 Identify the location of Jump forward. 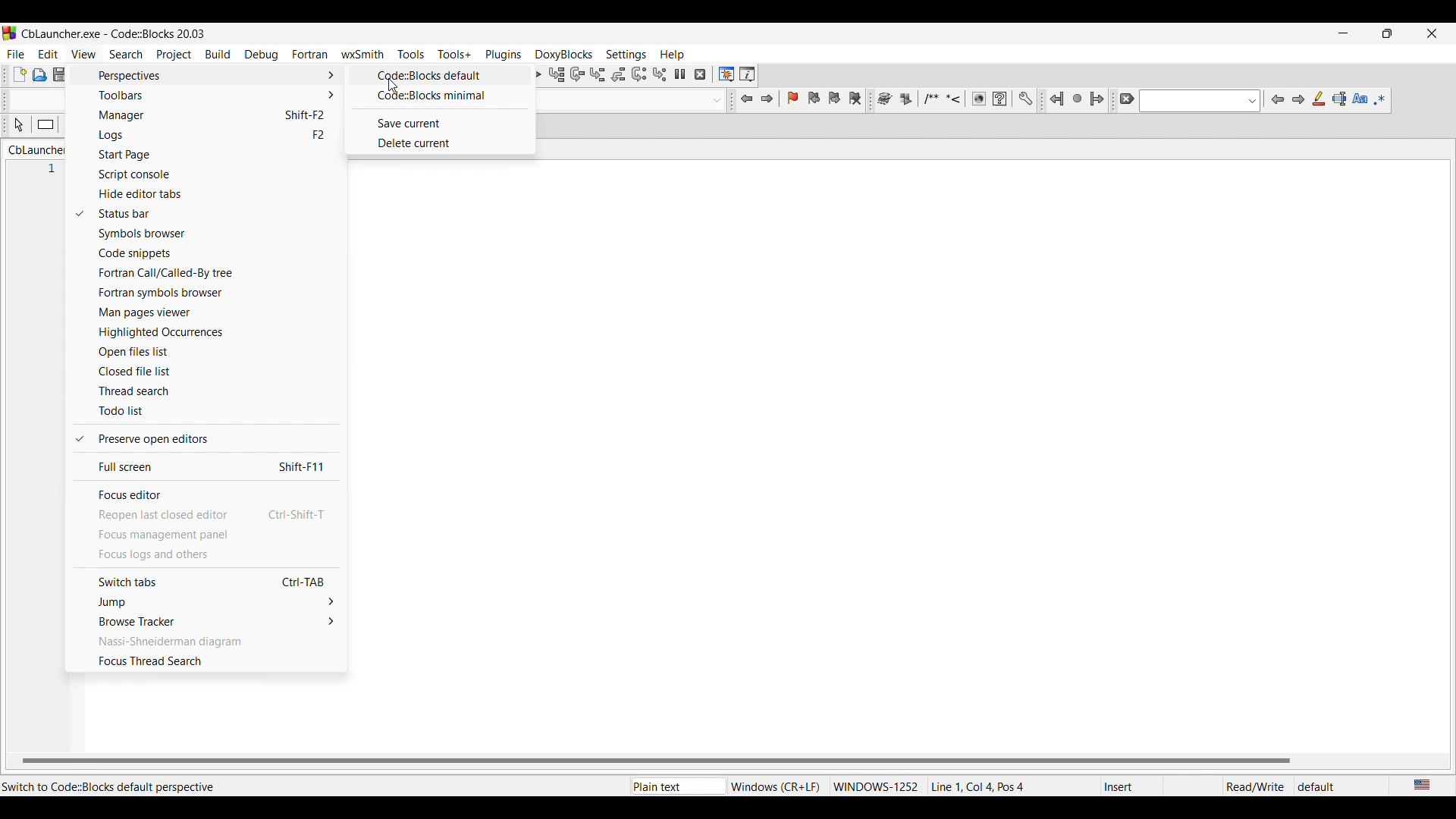
(767, 99).